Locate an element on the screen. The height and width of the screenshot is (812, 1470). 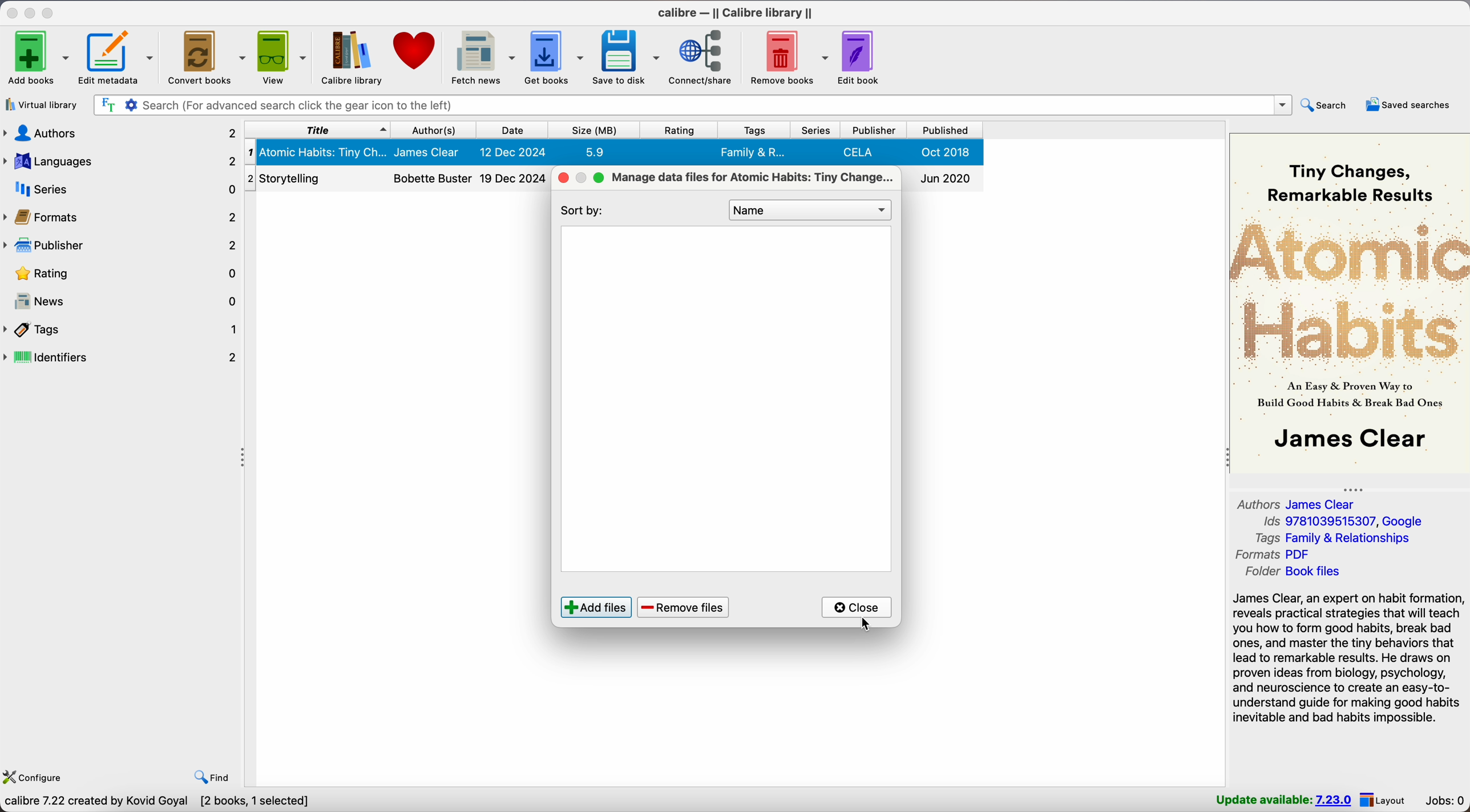
rating is located at coordinates (679, 130).